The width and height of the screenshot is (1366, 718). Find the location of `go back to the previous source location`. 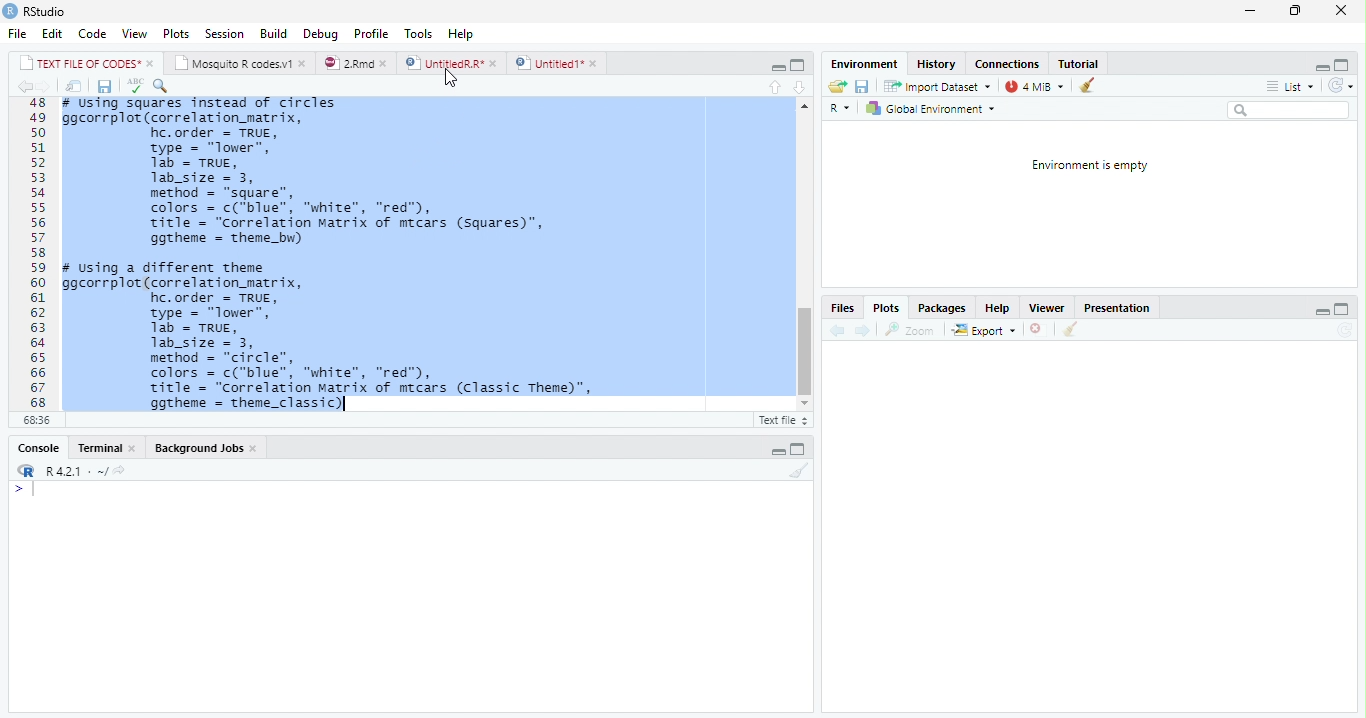

go back to the previous source location is located at coordinates (28, 88).